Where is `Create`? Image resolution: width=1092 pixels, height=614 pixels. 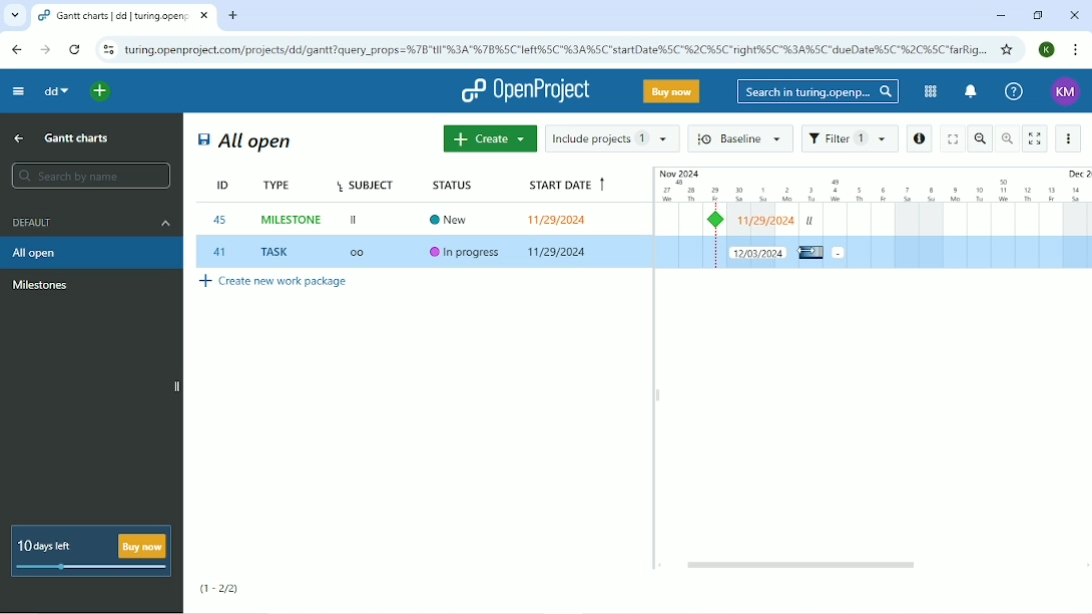 Create is located at coordinates (488, 139).